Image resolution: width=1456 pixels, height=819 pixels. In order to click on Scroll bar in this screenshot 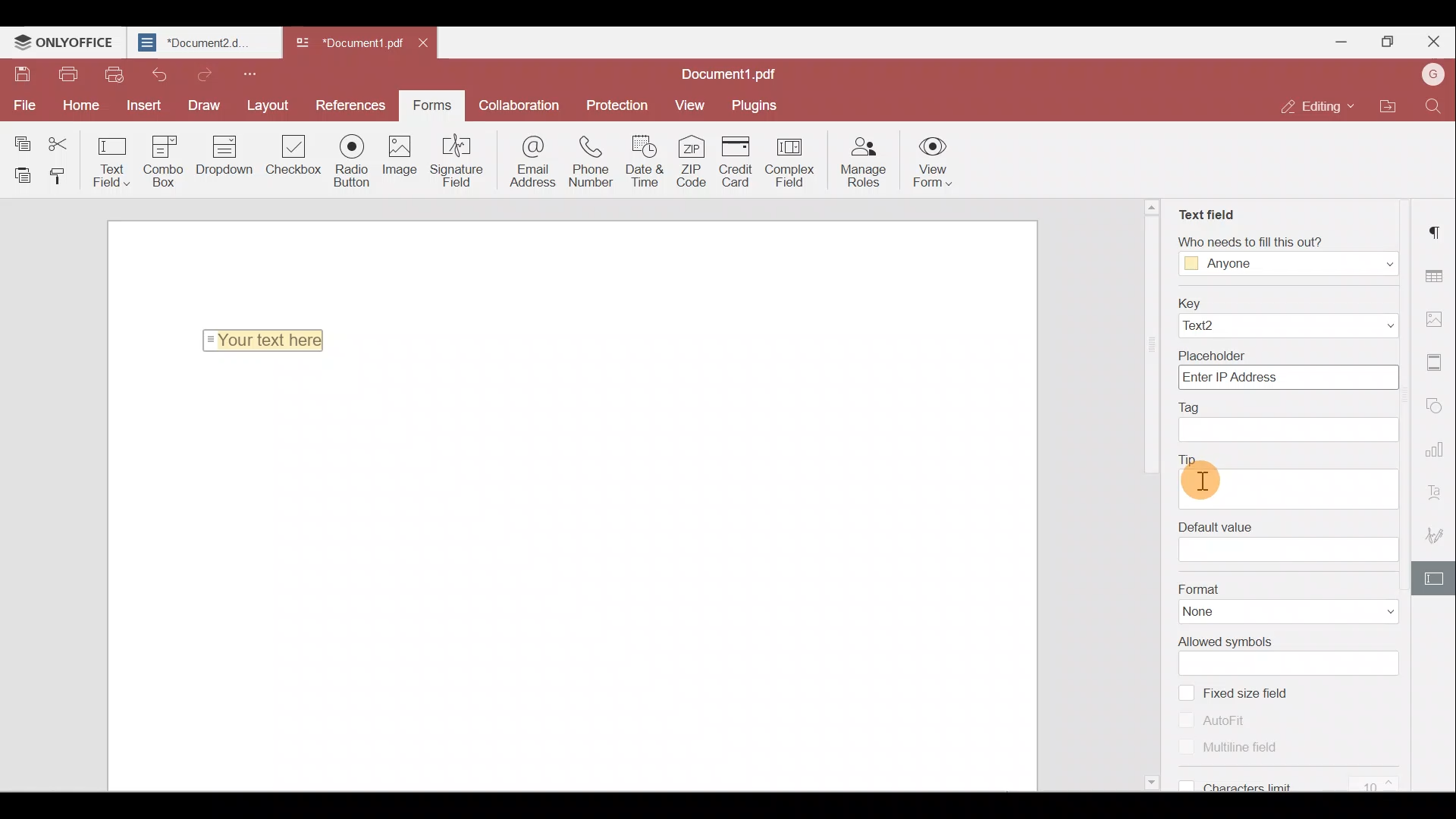, I will do `click(1151, 498)`.